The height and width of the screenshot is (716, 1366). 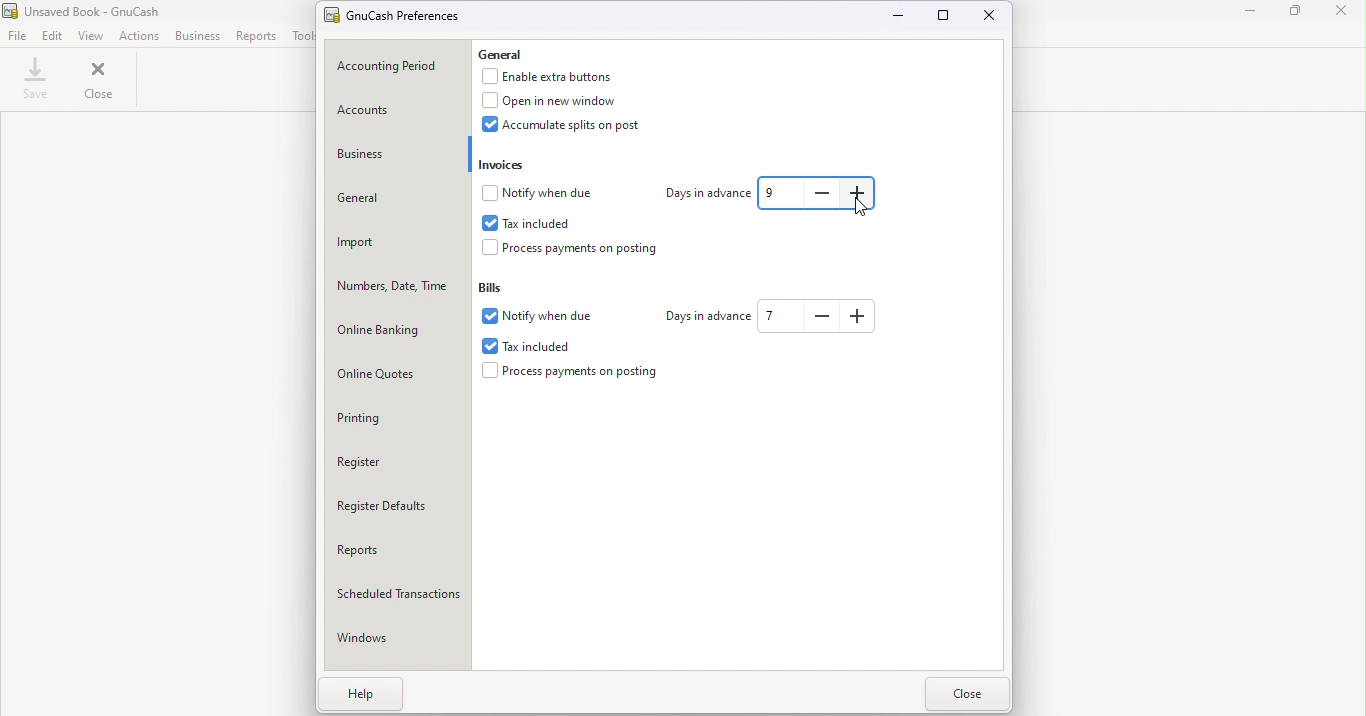 What do you see at coordinates (399, 598) in the screenshot?
I see `Scheduled transactions` at bounding box center [399, 598].